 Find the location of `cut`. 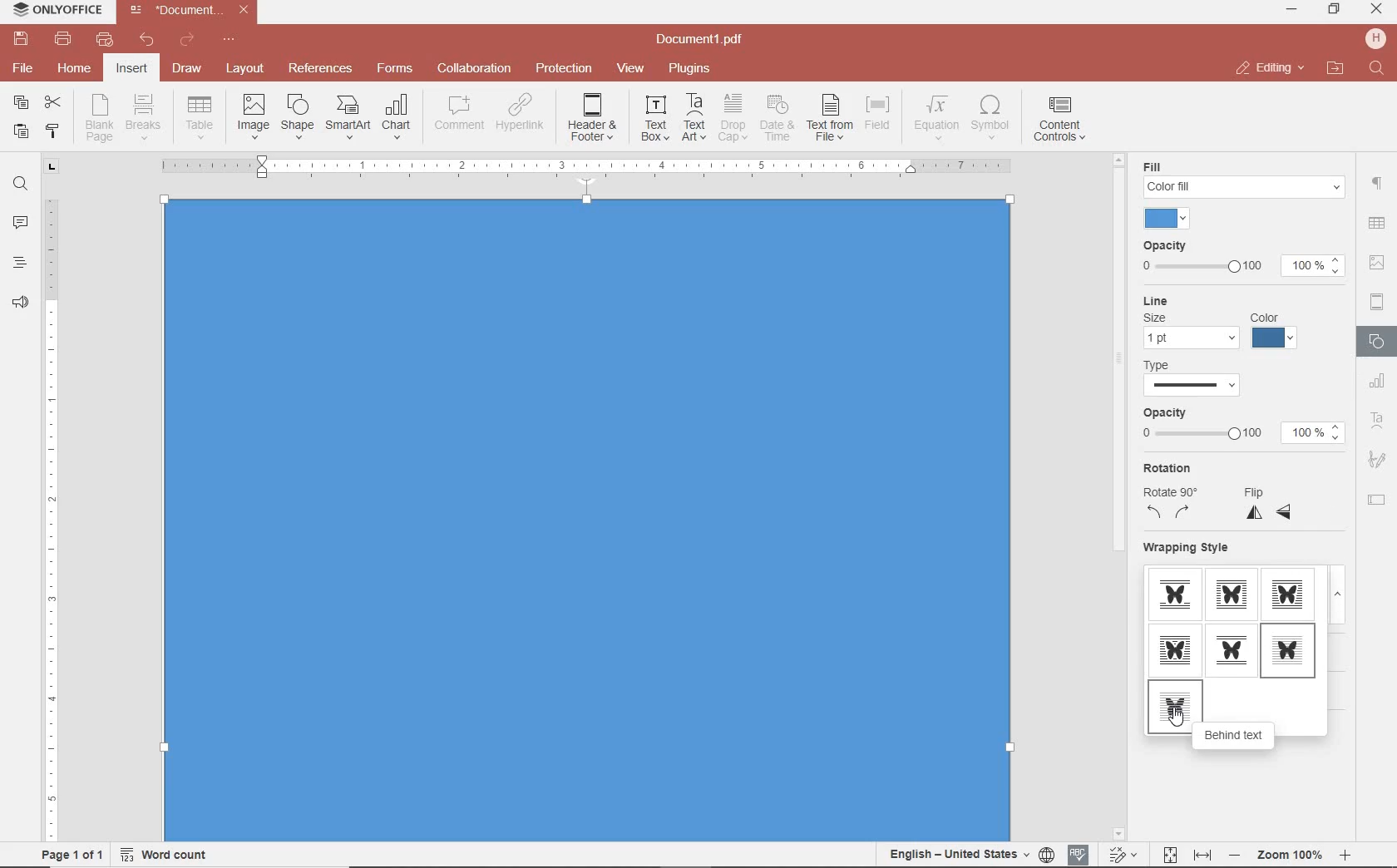

cut is located at coordinates (52, 104).